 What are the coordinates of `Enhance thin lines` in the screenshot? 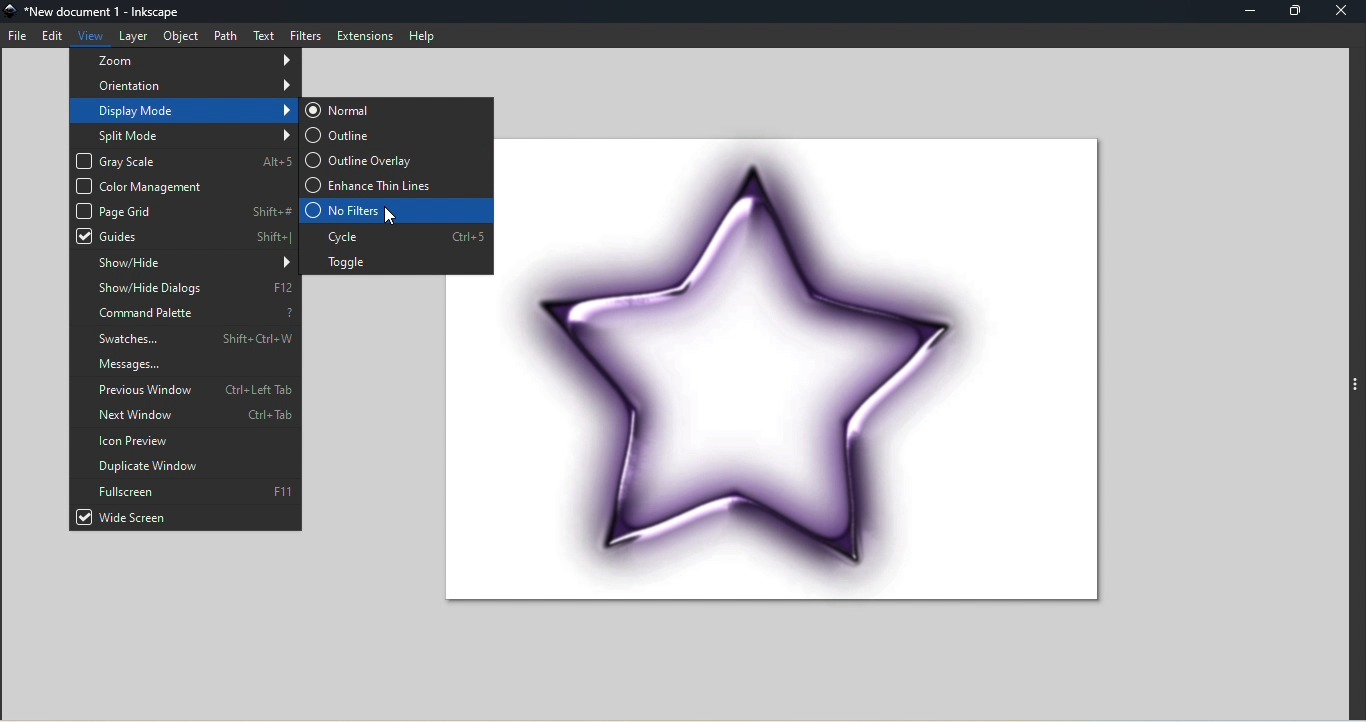 It's located at (398, 185).